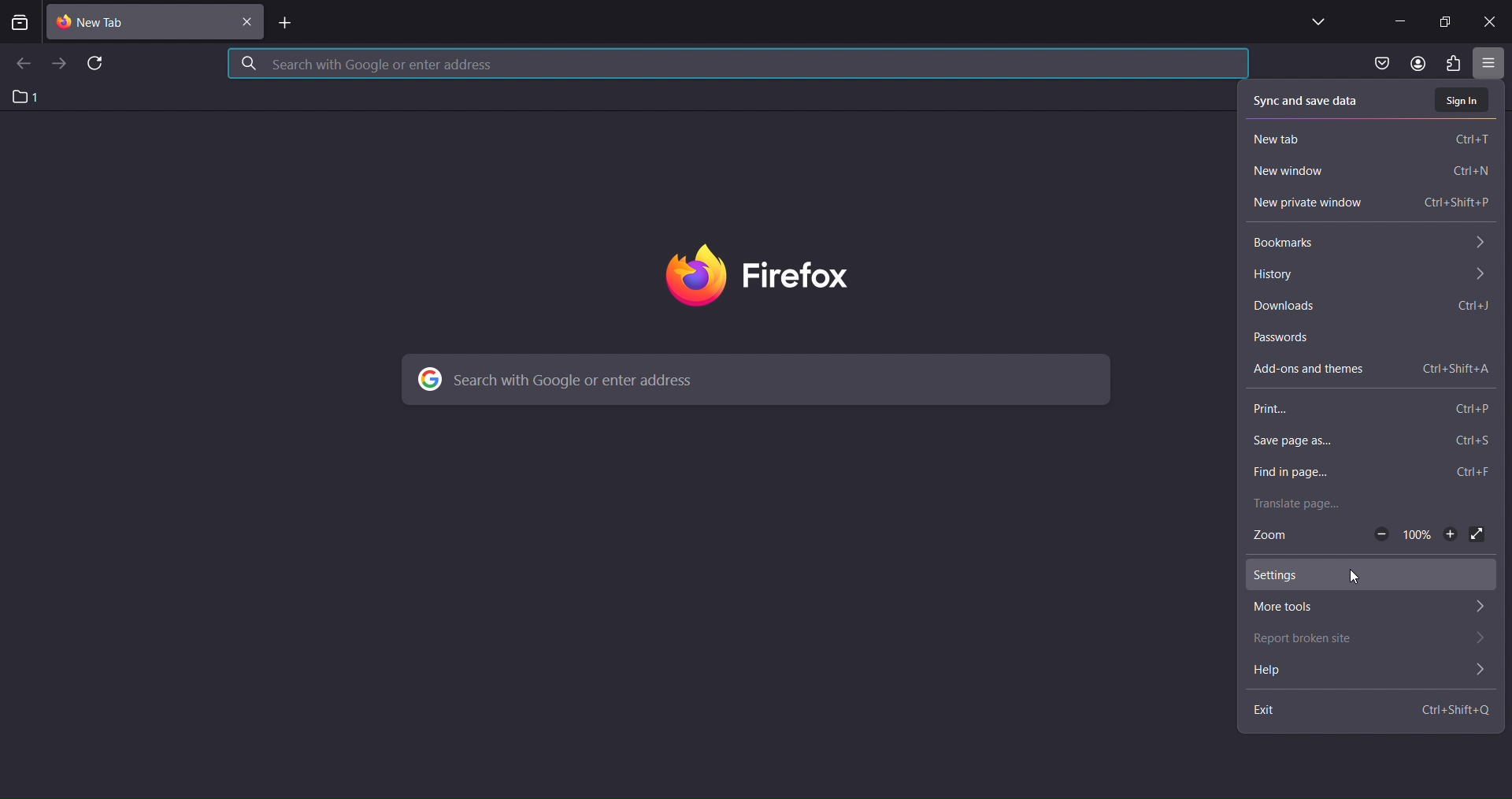  Describe the element at coordinates (1418, 535) in the screenshot. I see `100%` at that location.